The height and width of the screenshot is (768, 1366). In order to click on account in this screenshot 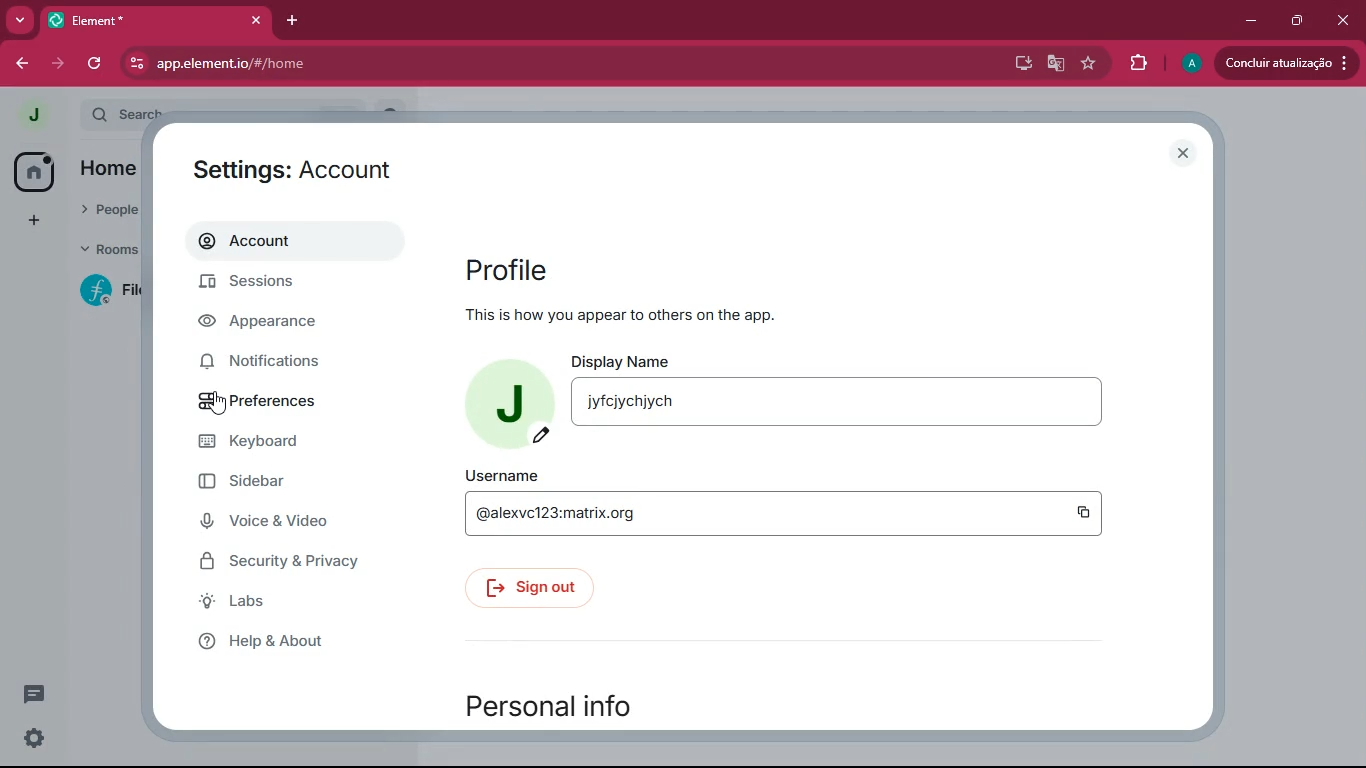, I will do `click(296, 244)`.